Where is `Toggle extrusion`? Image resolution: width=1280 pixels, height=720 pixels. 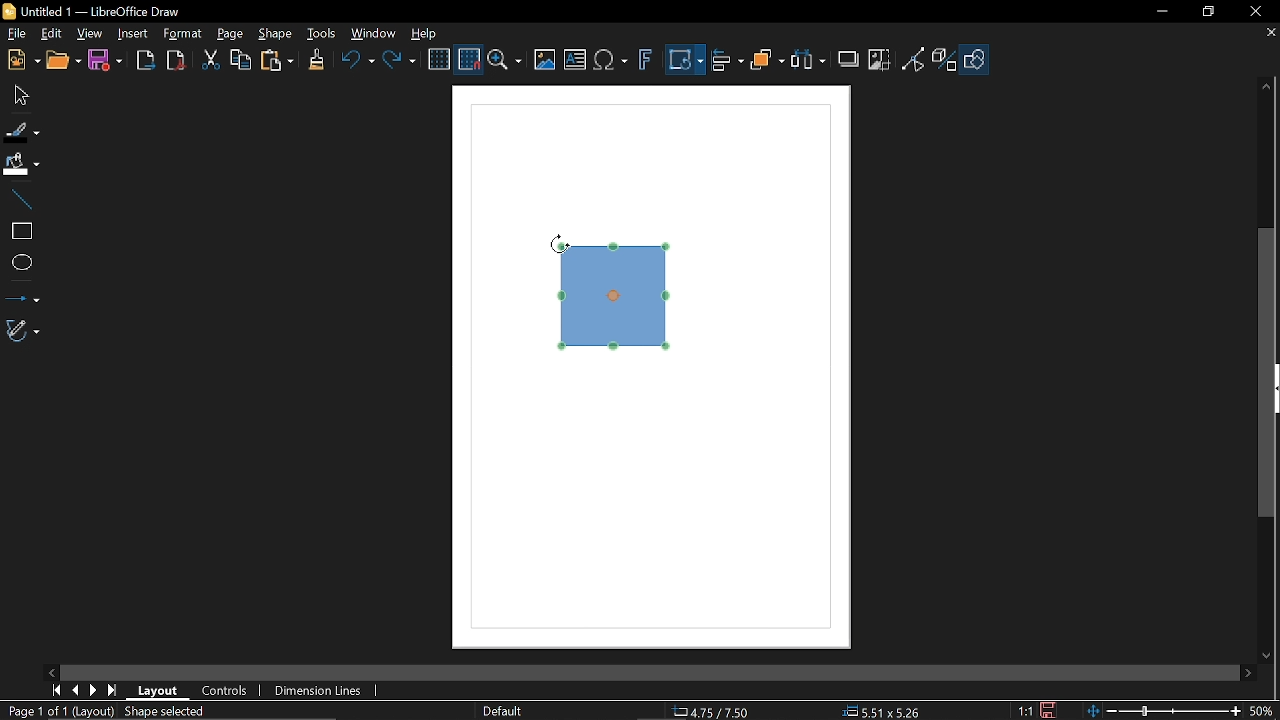
Toggle extrusion is located at coordinates (945, 59).